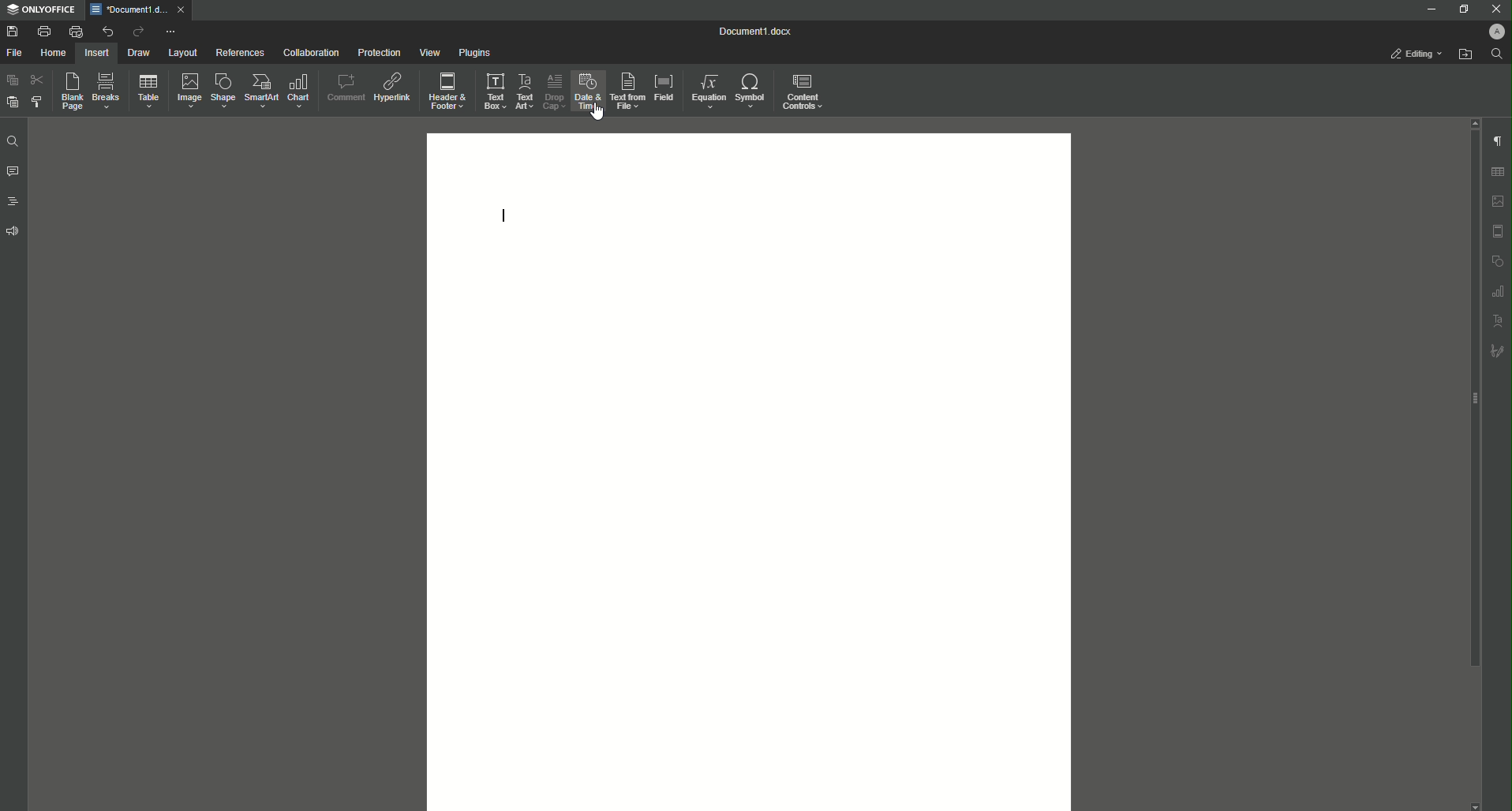  What do you see at coordinates (376, 51) in the screenshot?
I see `Protection` at bounding box center [376, 51].